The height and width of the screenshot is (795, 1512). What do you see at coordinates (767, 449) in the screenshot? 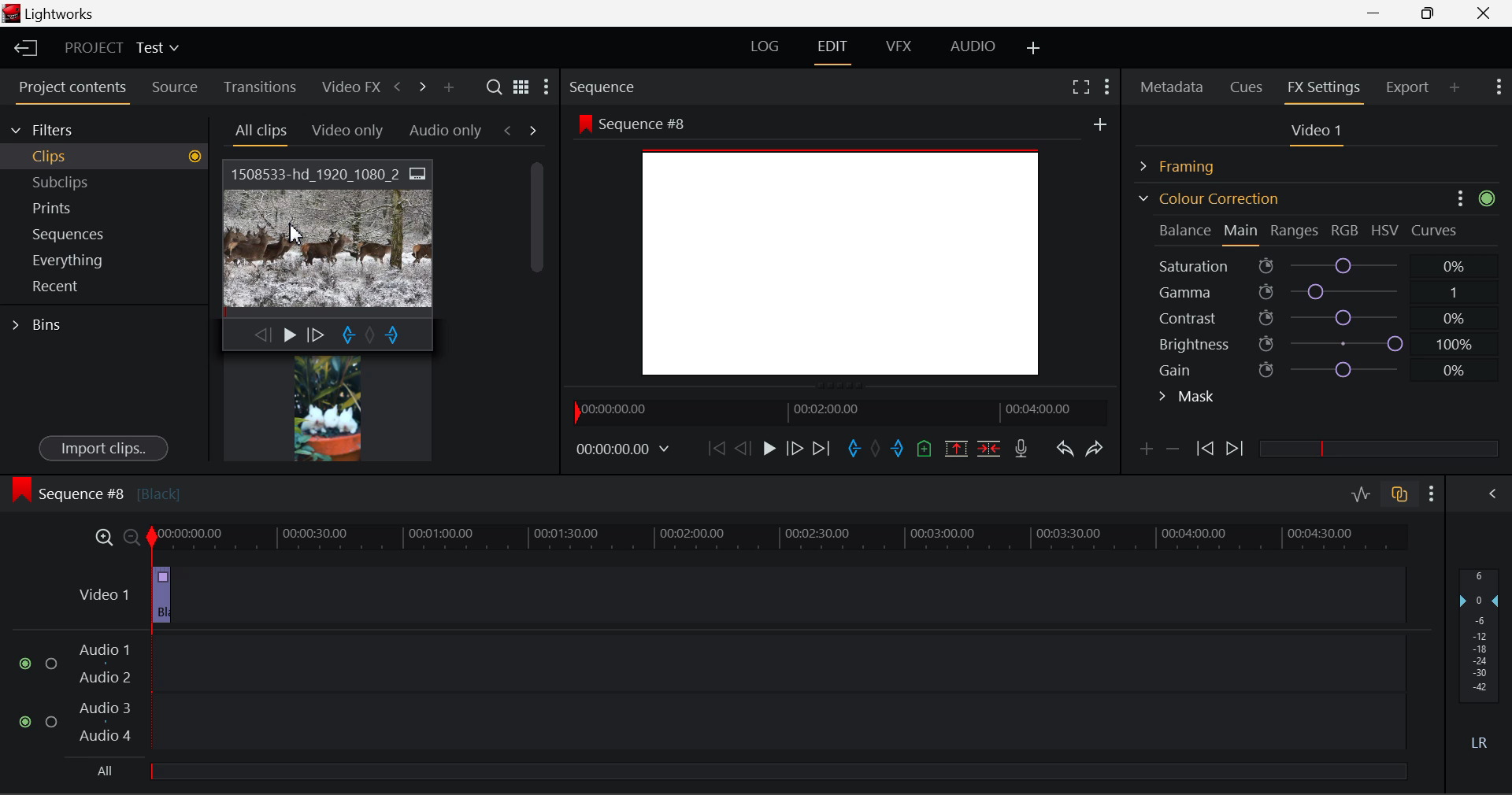
I see `Play` at bounding box center [767, 449].